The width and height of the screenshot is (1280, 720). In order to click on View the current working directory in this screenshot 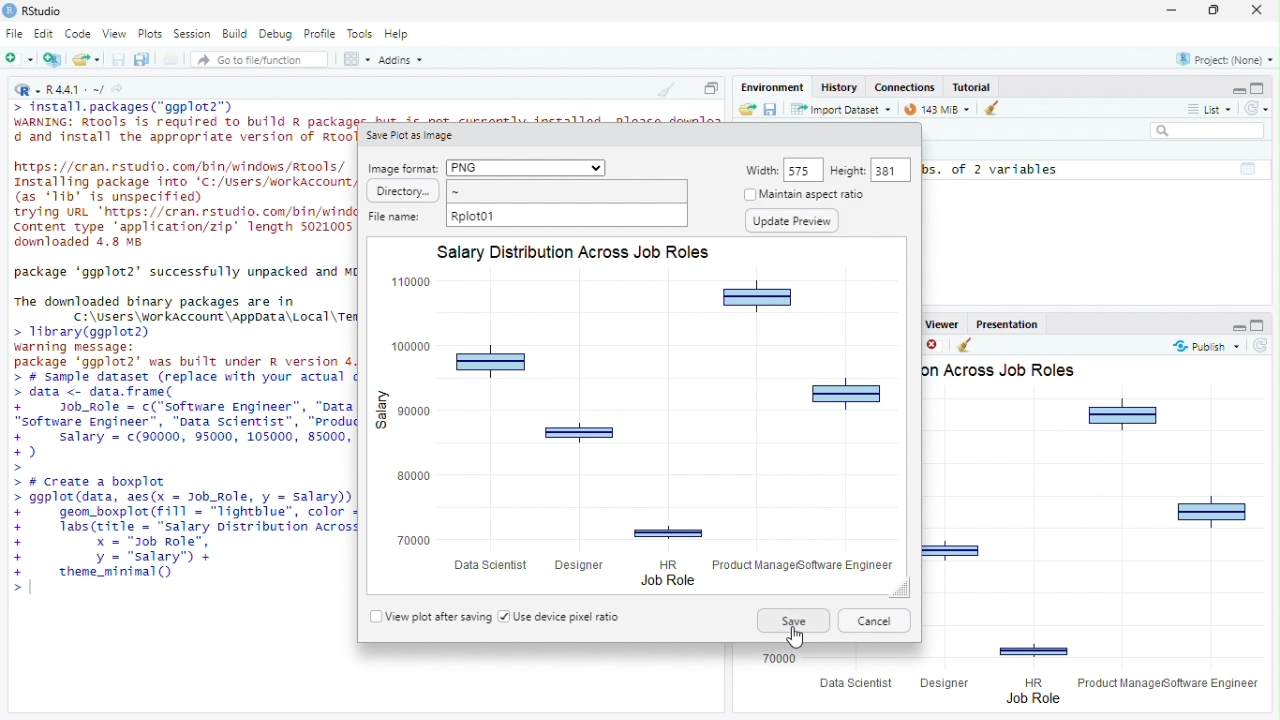, I will do `click(117, 89)`.